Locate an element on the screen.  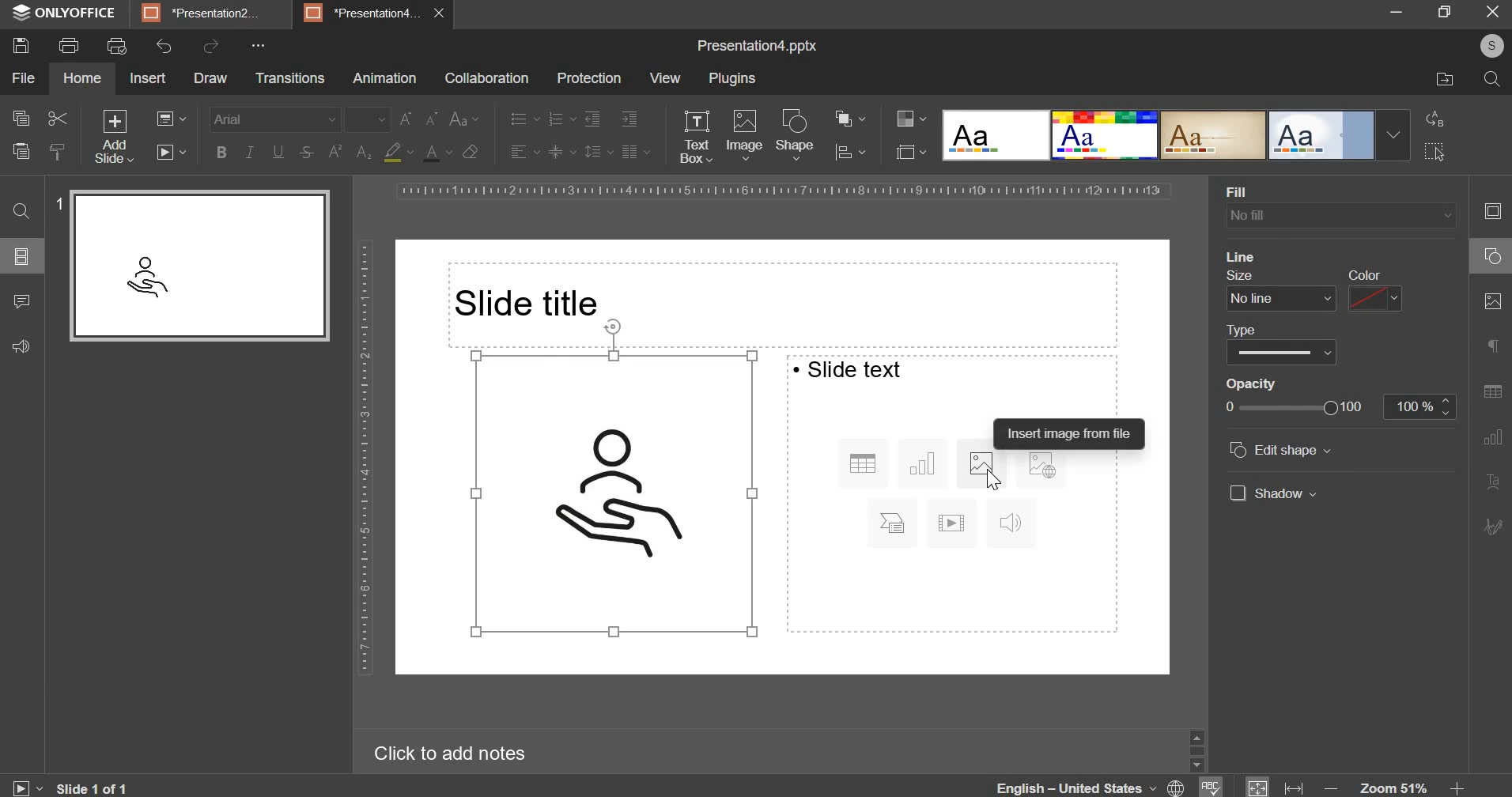
opacity is located at coordinates (1292, 407).